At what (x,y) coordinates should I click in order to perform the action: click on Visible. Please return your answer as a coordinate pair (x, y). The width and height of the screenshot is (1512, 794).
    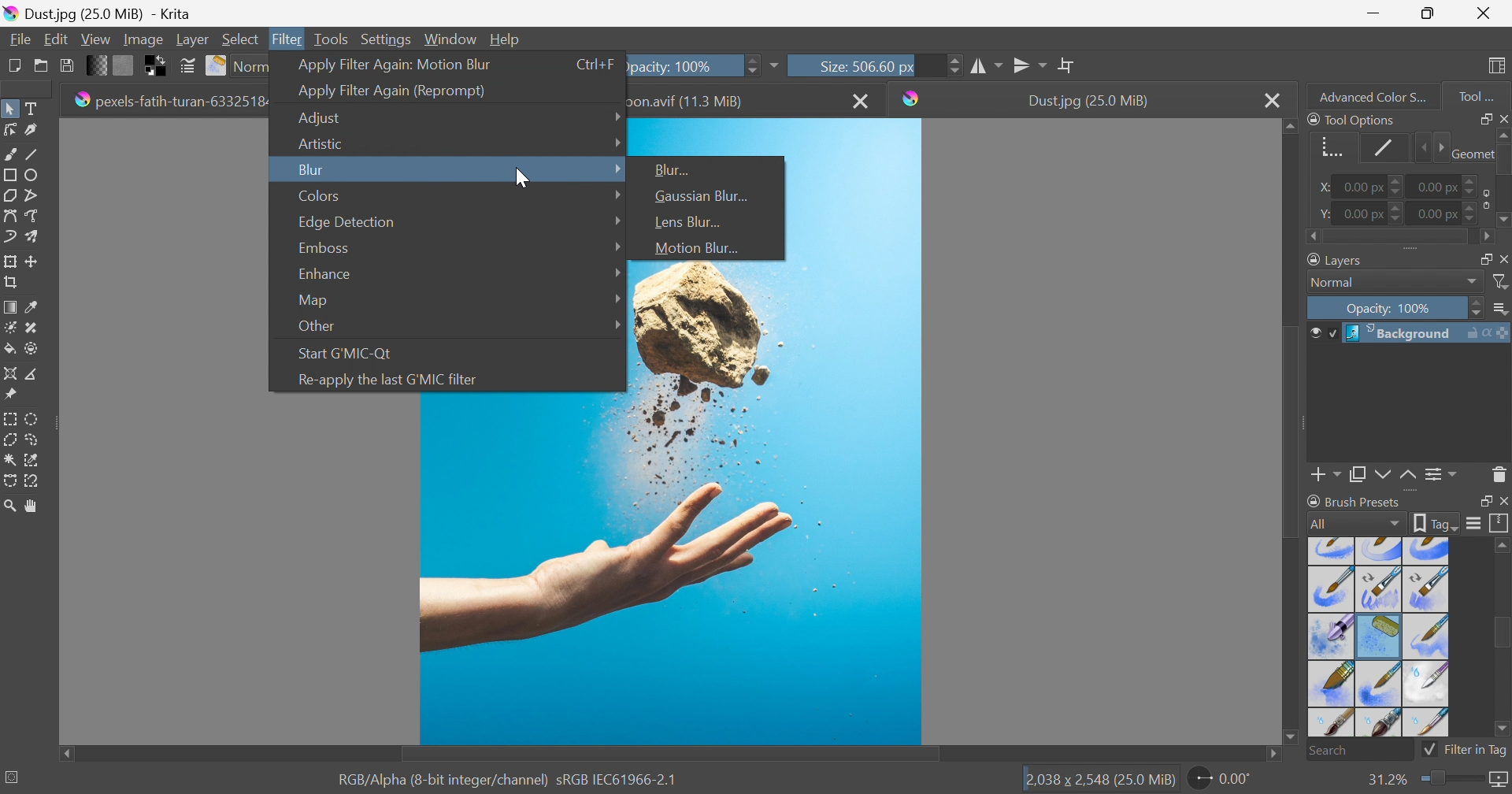
    Looking at the image, I should click on (1321, 333).